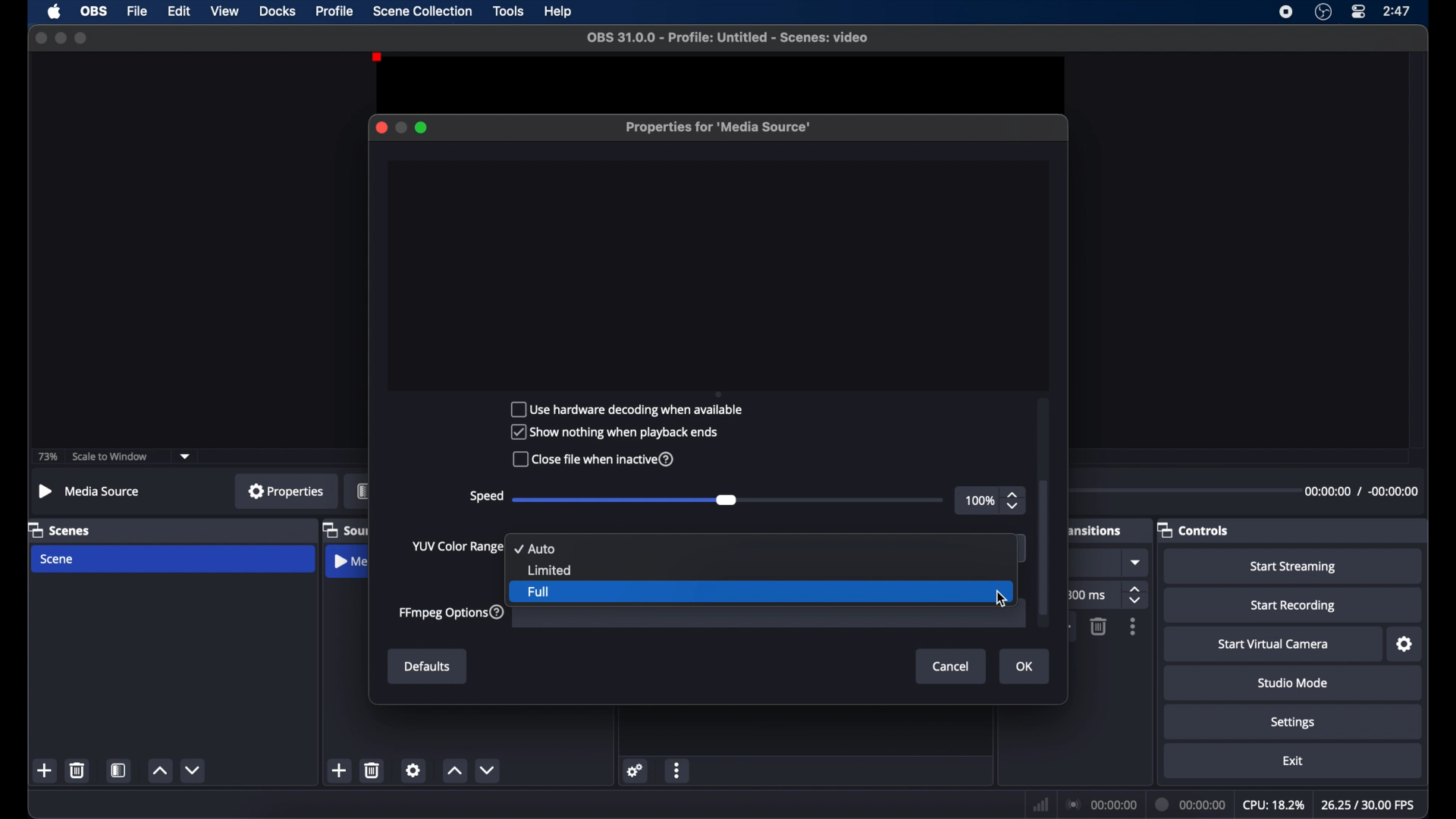 The image size is (1456, 819). What do you see at coordinates (110, 457) in the screenshot?
I see `scale to window` at bounding box center [110, 457].